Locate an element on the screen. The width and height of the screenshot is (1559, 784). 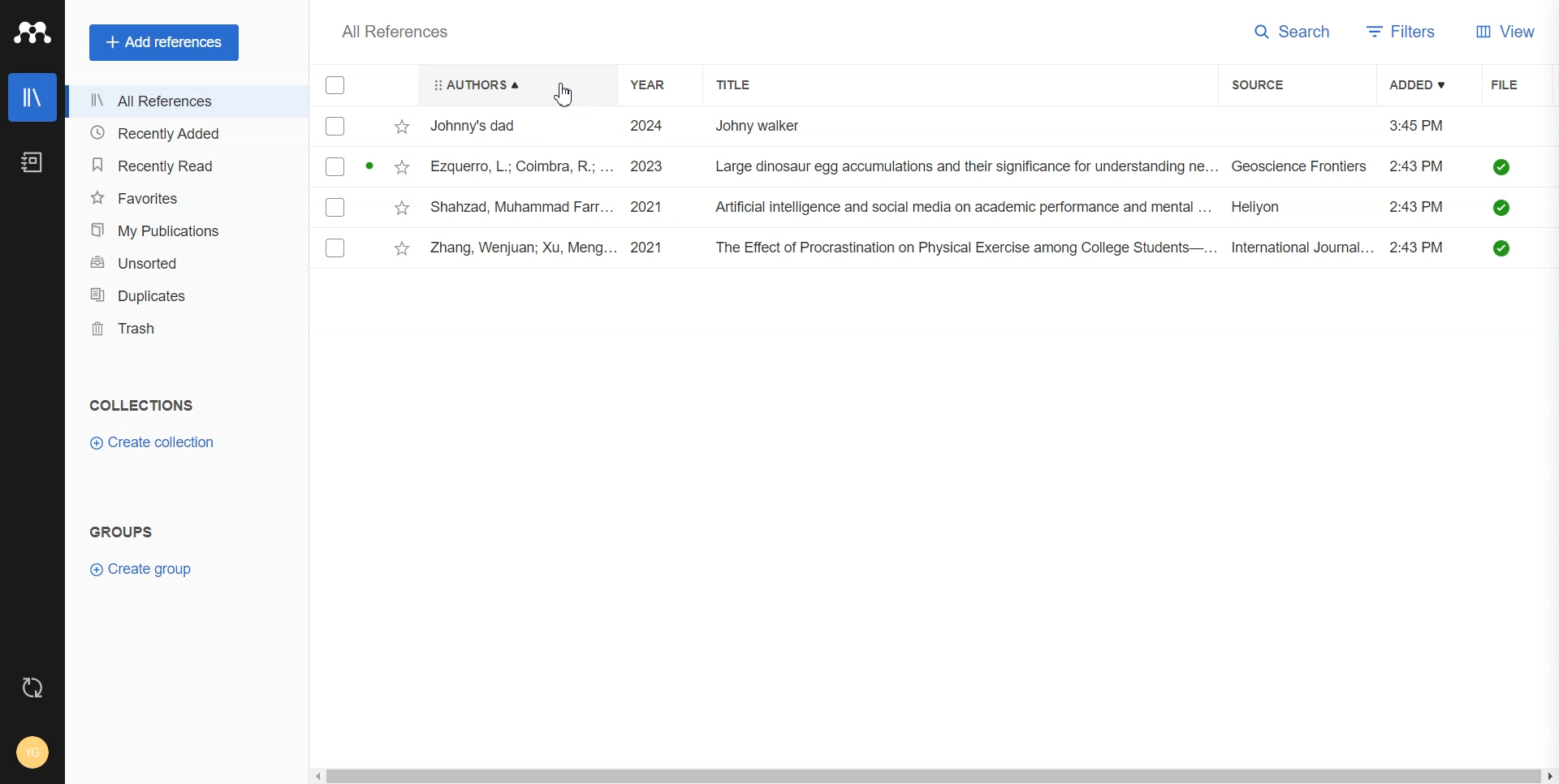
download Check is located at coordinates (1501, 167).